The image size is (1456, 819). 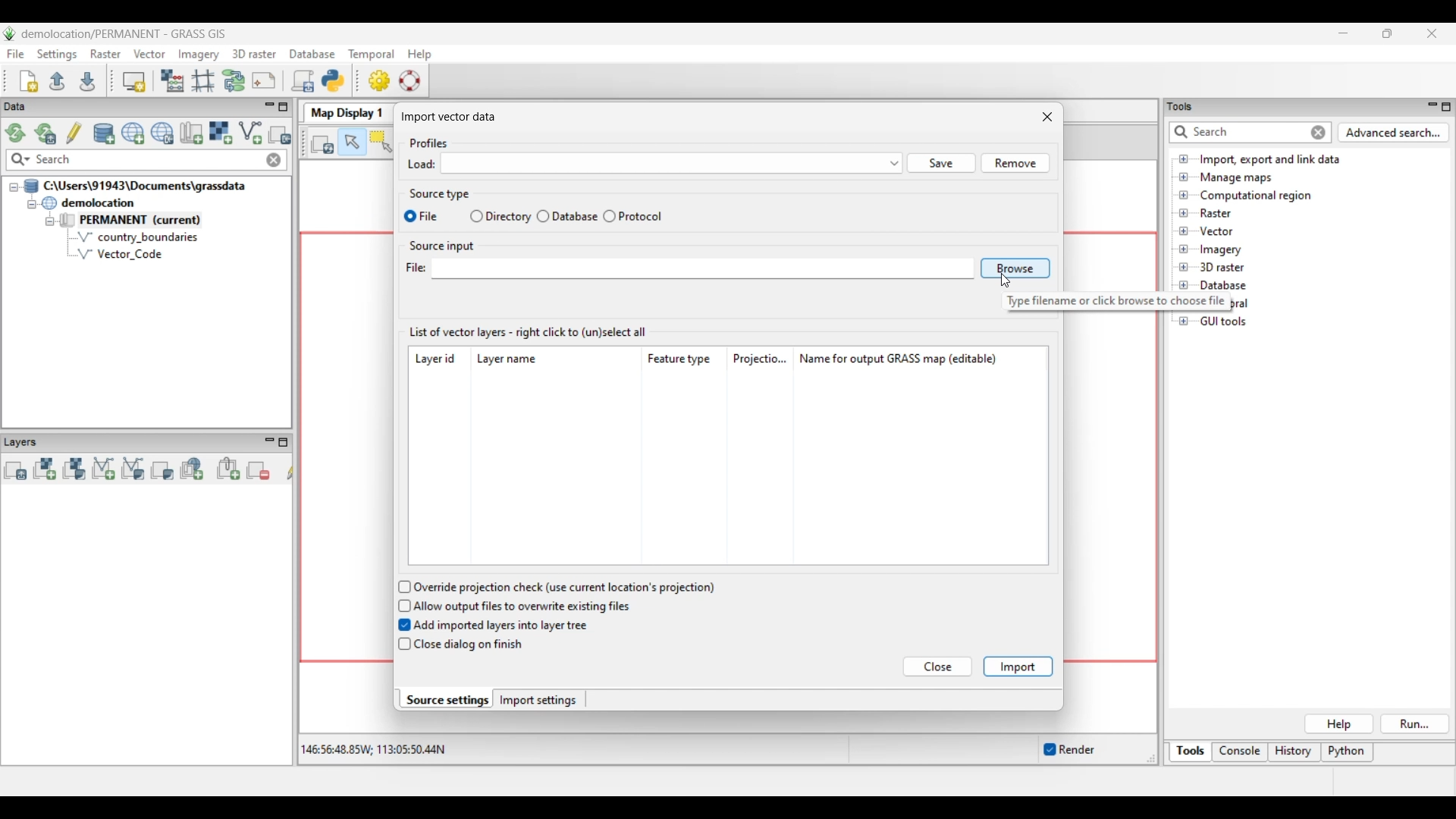 I want to click on Reload current GRASS mapset only, so click(x=45, y=133).